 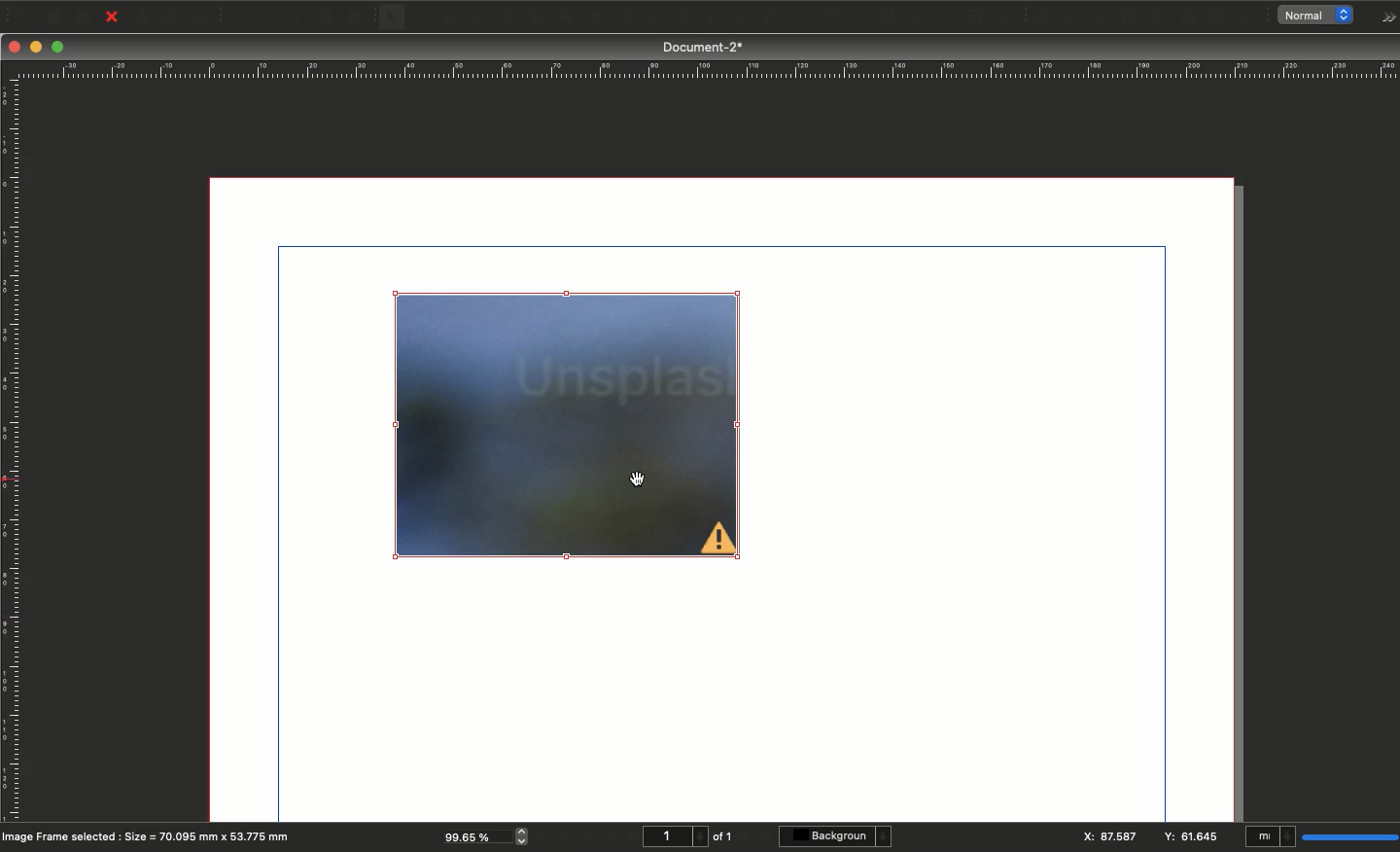 I want to click on Zoom in or out, so click(x=773, y=19).